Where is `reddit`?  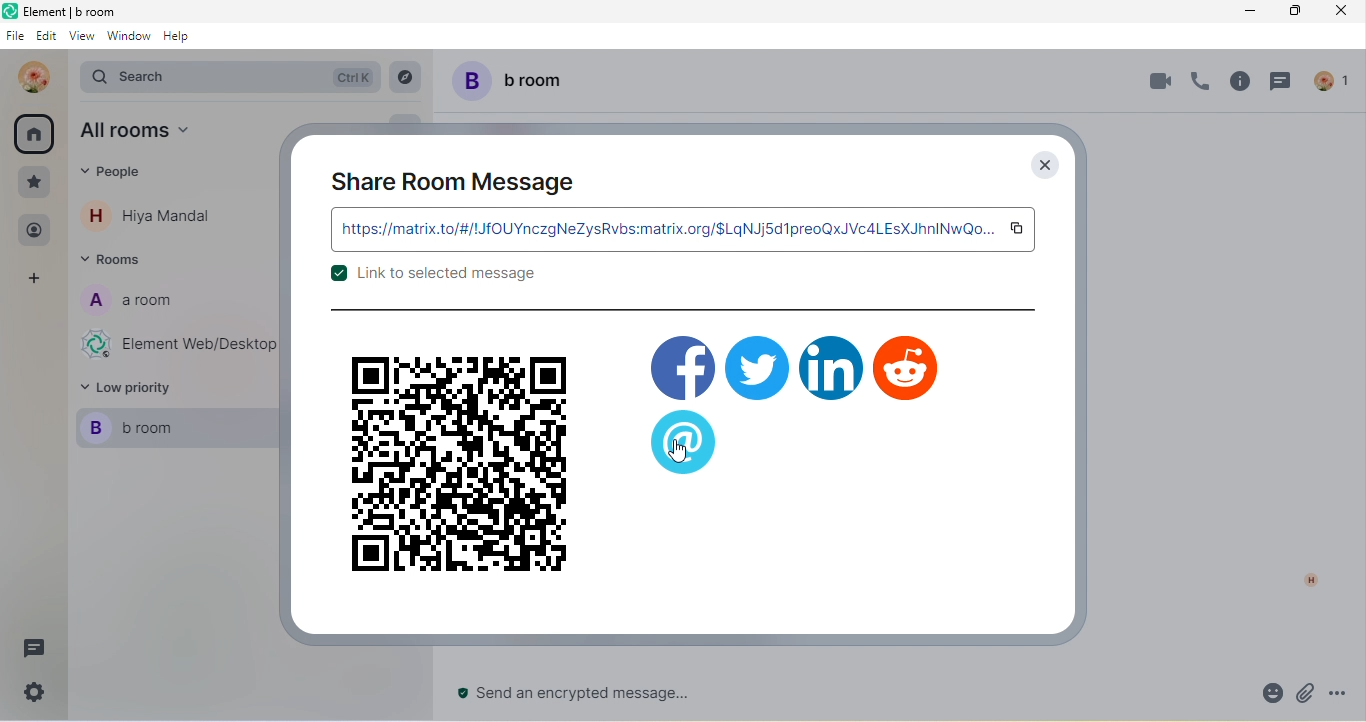
reddit is located at coordinates (907, 367).